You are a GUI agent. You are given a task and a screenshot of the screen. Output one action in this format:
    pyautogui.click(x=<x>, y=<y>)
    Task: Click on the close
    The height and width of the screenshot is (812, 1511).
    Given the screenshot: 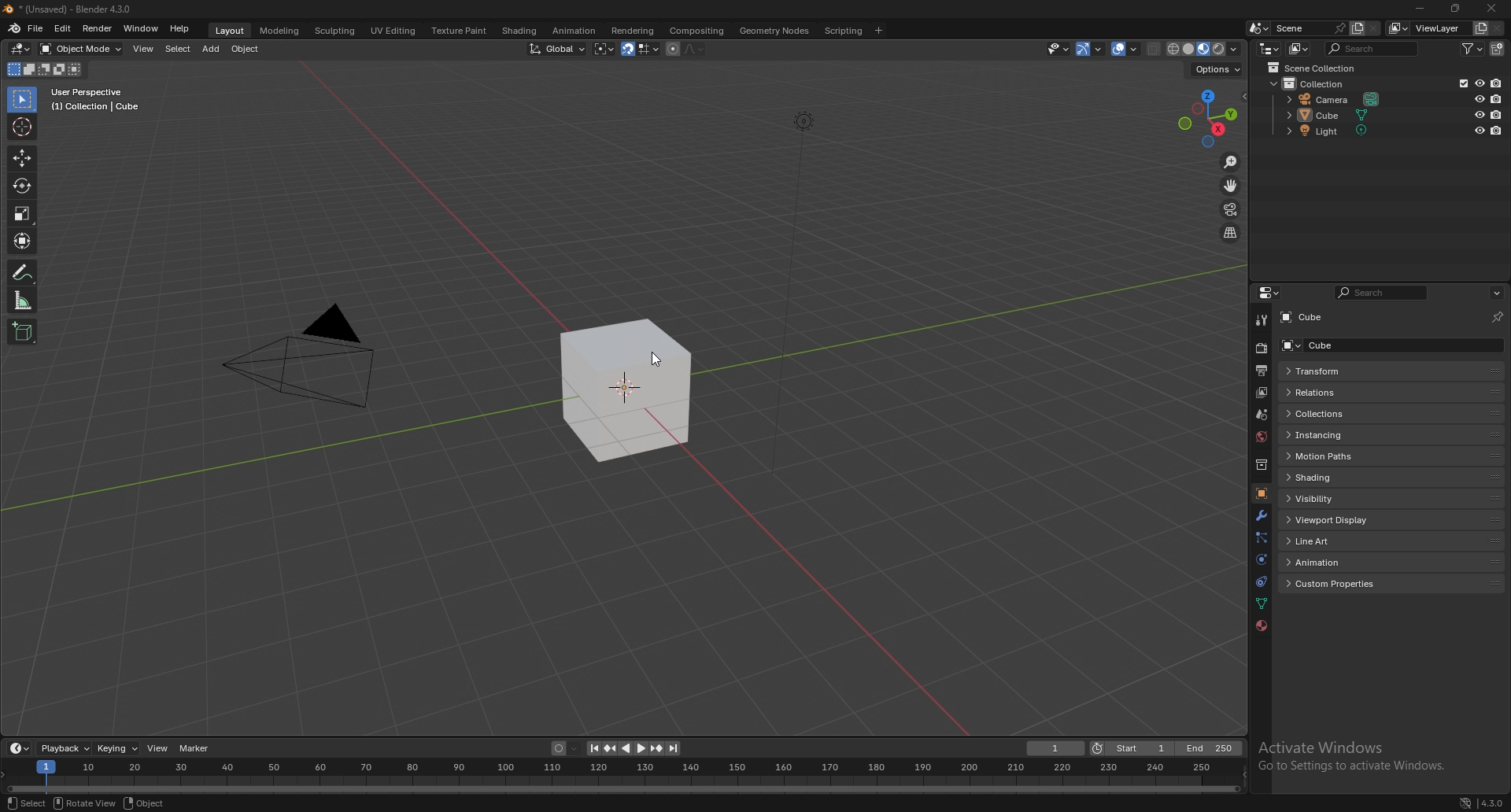 What is the action you would take?
    pyautogui.click(x=1492, y=9)
    